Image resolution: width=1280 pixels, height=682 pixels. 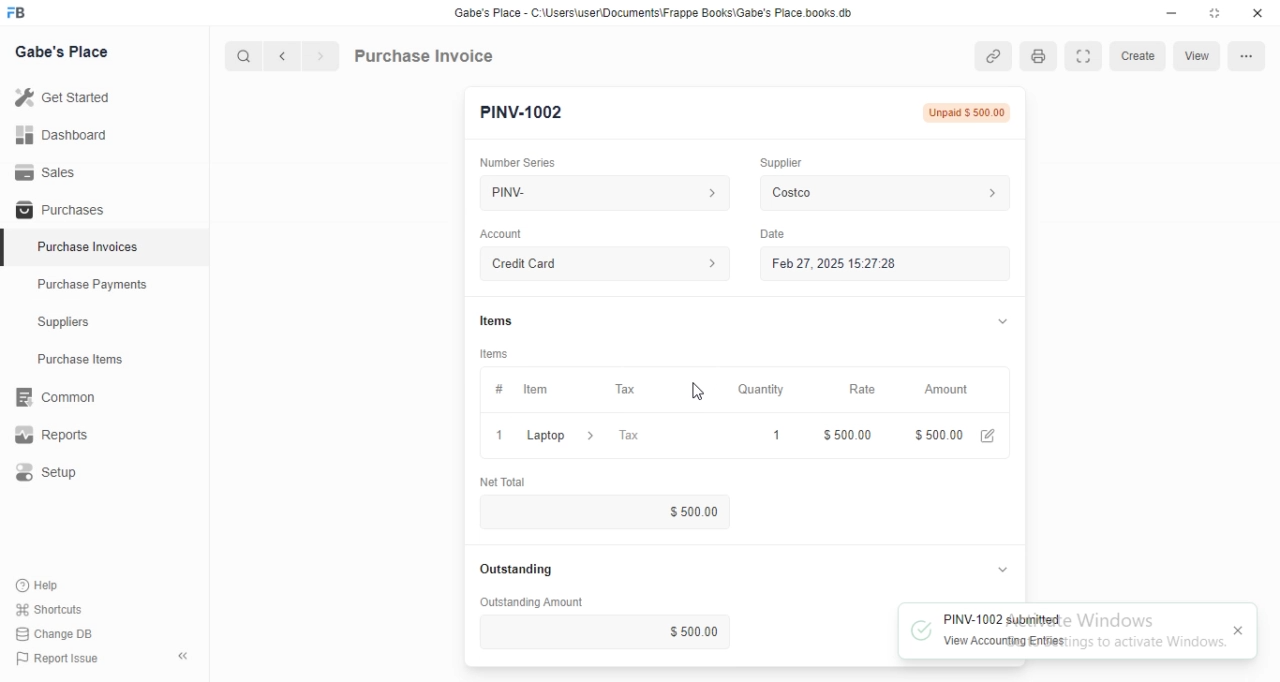 What do you see at coordinates (653, 12) in the screenshot?
I see `‘Gabe's Place - C\Users\useriDocuments\Frappe Books\Gabe's Place books db.` at bounding box center [653, 12].